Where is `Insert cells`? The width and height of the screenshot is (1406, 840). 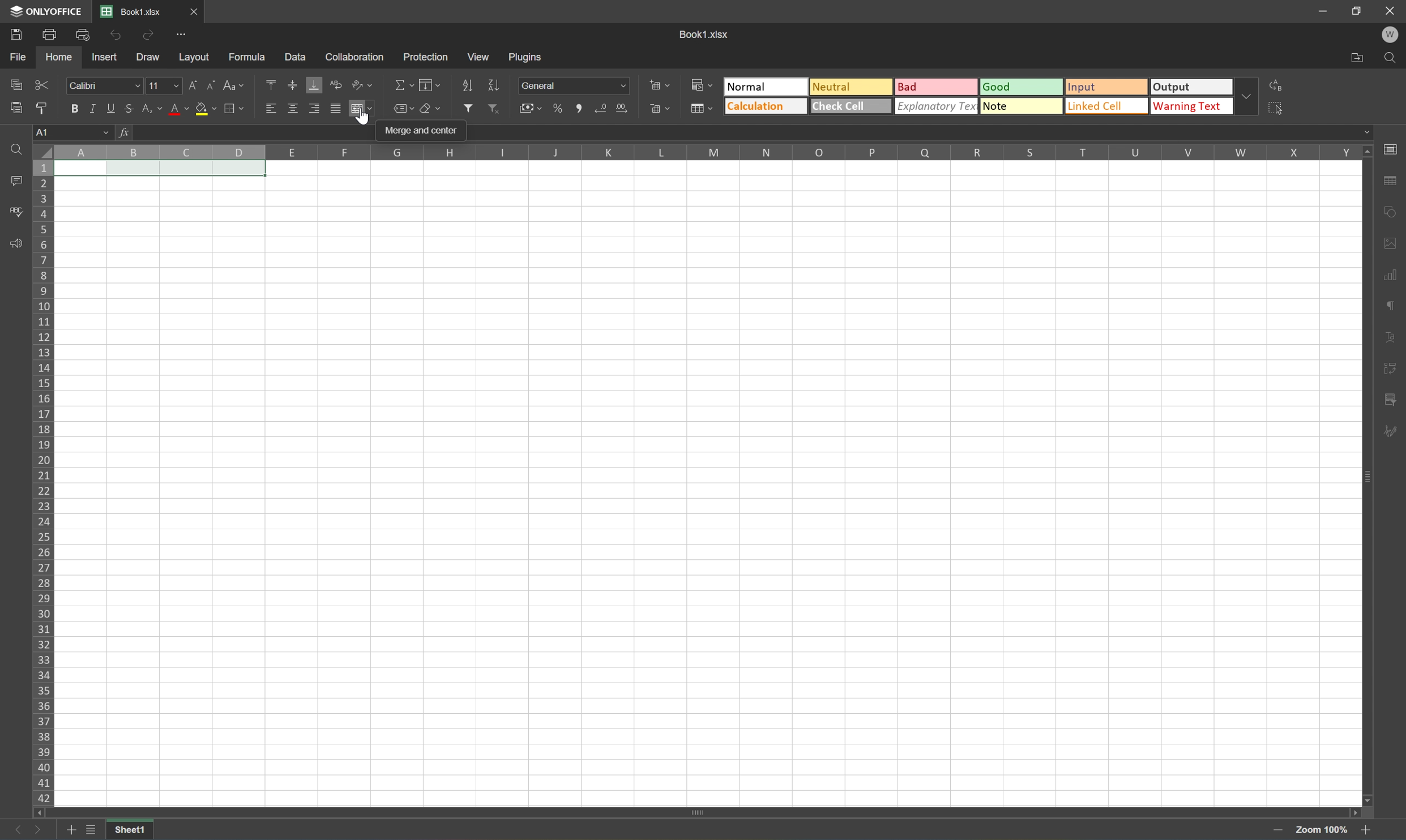
Insert cells is located at coordinates (657, 84).